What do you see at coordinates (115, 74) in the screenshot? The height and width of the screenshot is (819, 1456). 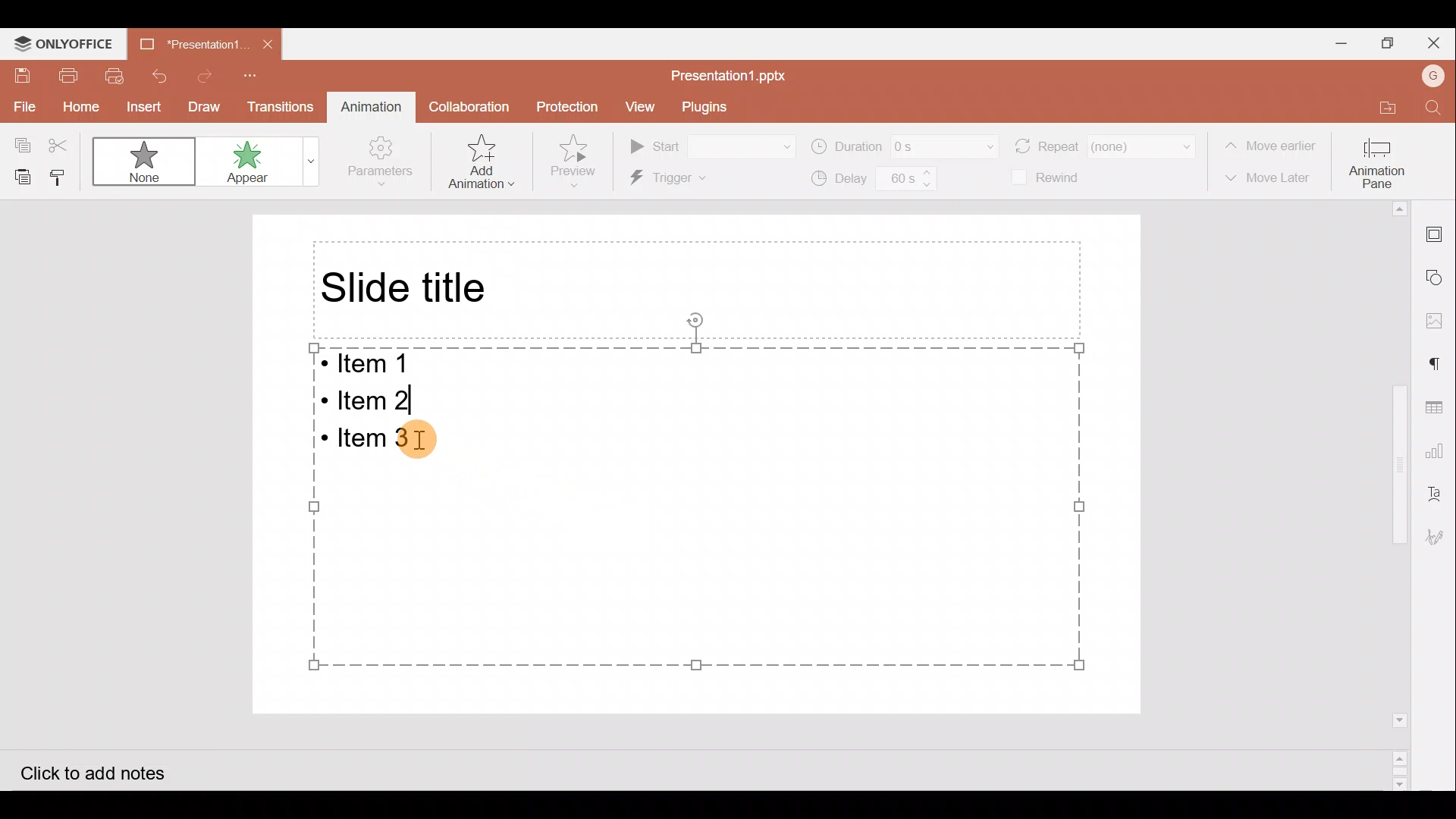 I see `Quick print` at bounding box center [115, 74].